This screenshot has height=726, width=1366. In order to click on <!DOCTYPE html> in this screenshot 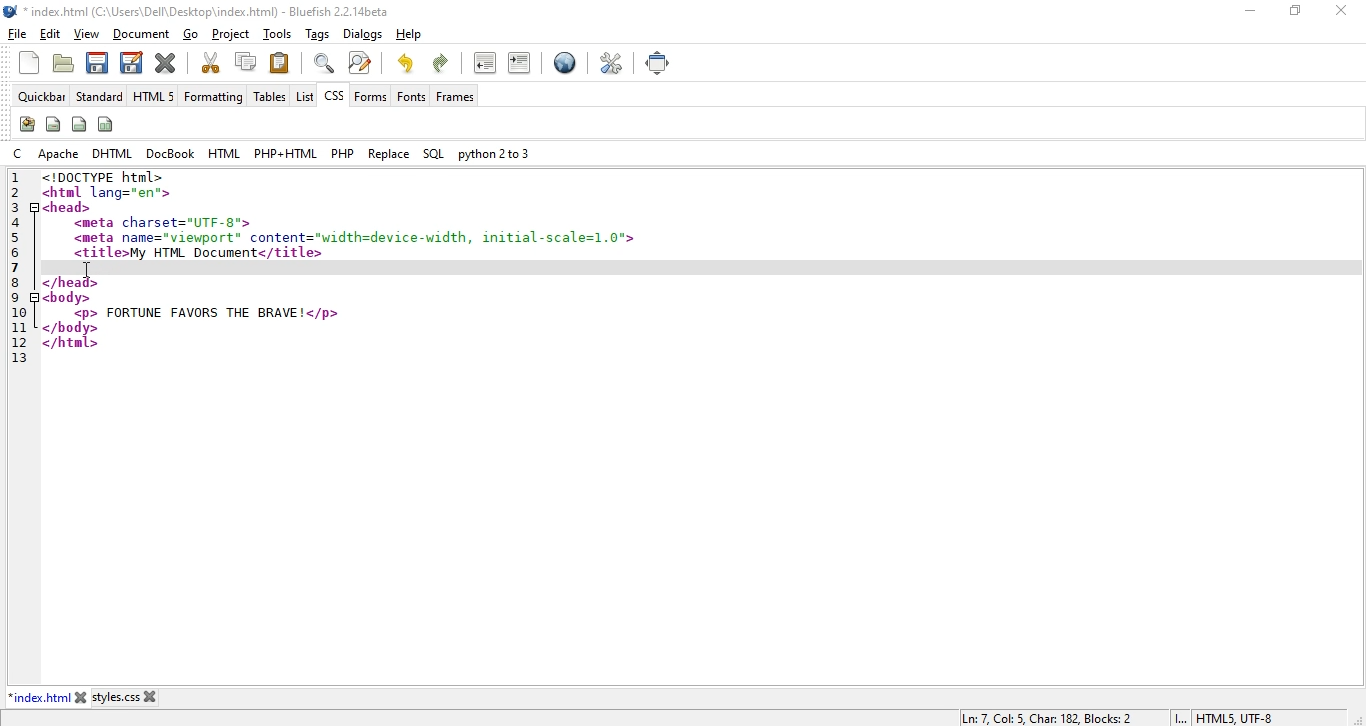, I will do `click(102, 177)`.